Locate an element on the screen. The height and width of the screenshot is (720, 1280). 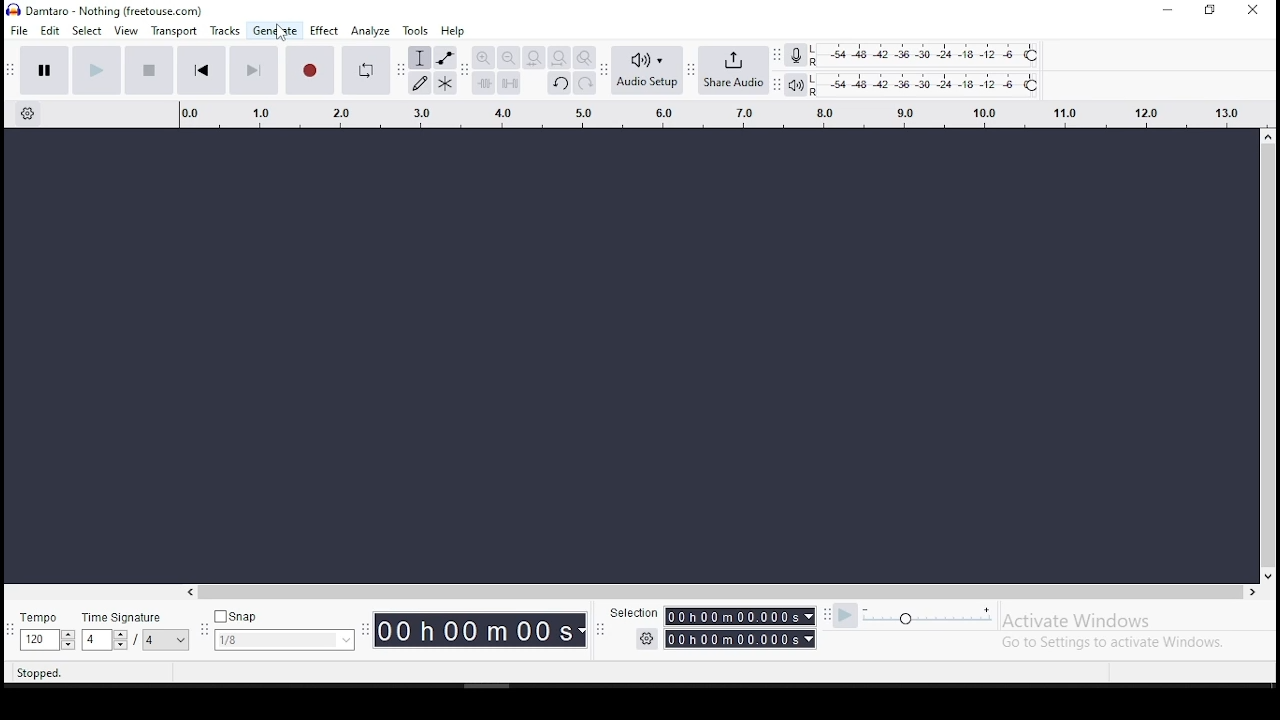
silence audio signal is located at coordinates (507, 83).